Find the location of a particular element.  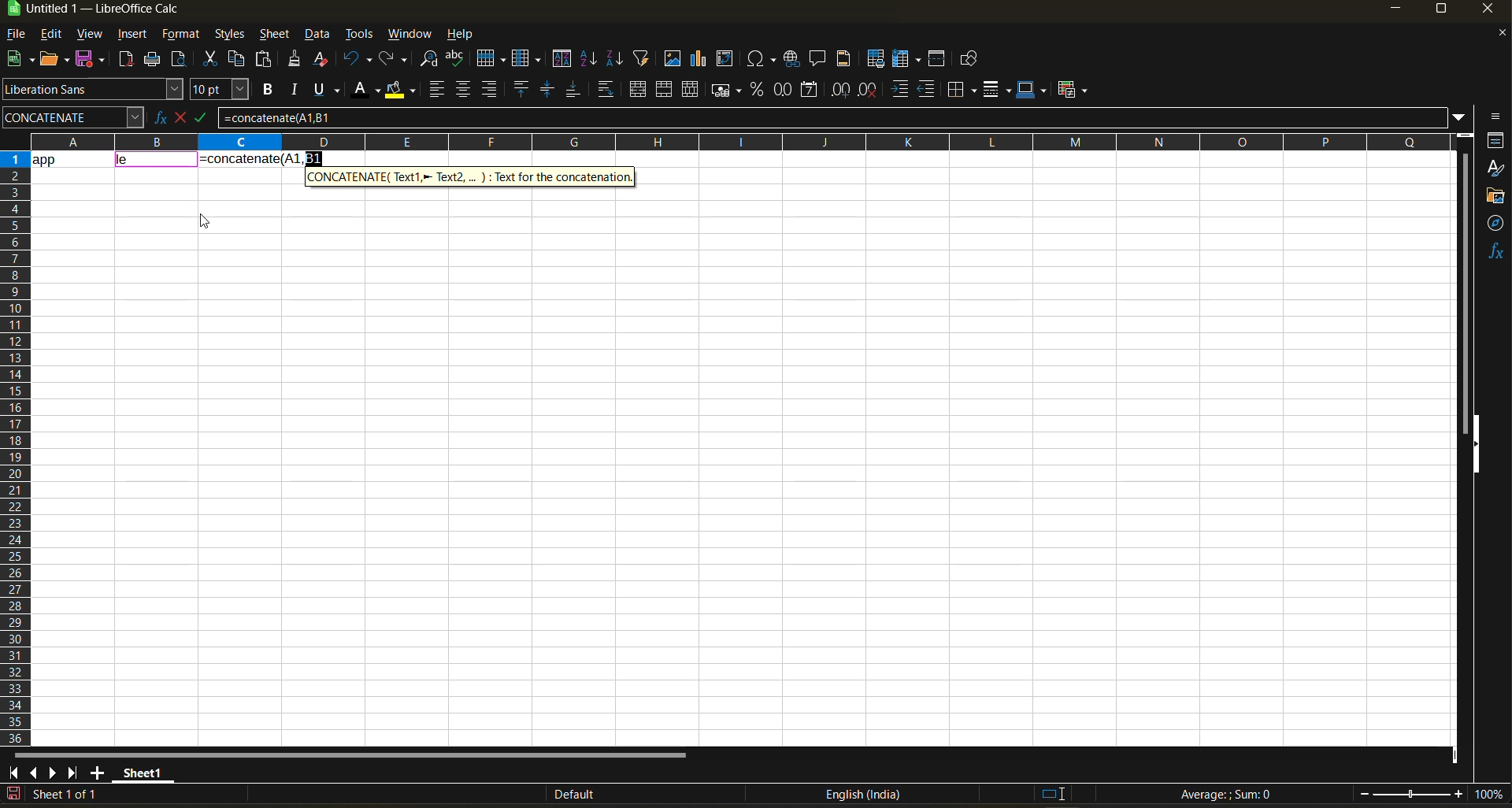

vertical scroll bar is located at coordinates (1465, 282).